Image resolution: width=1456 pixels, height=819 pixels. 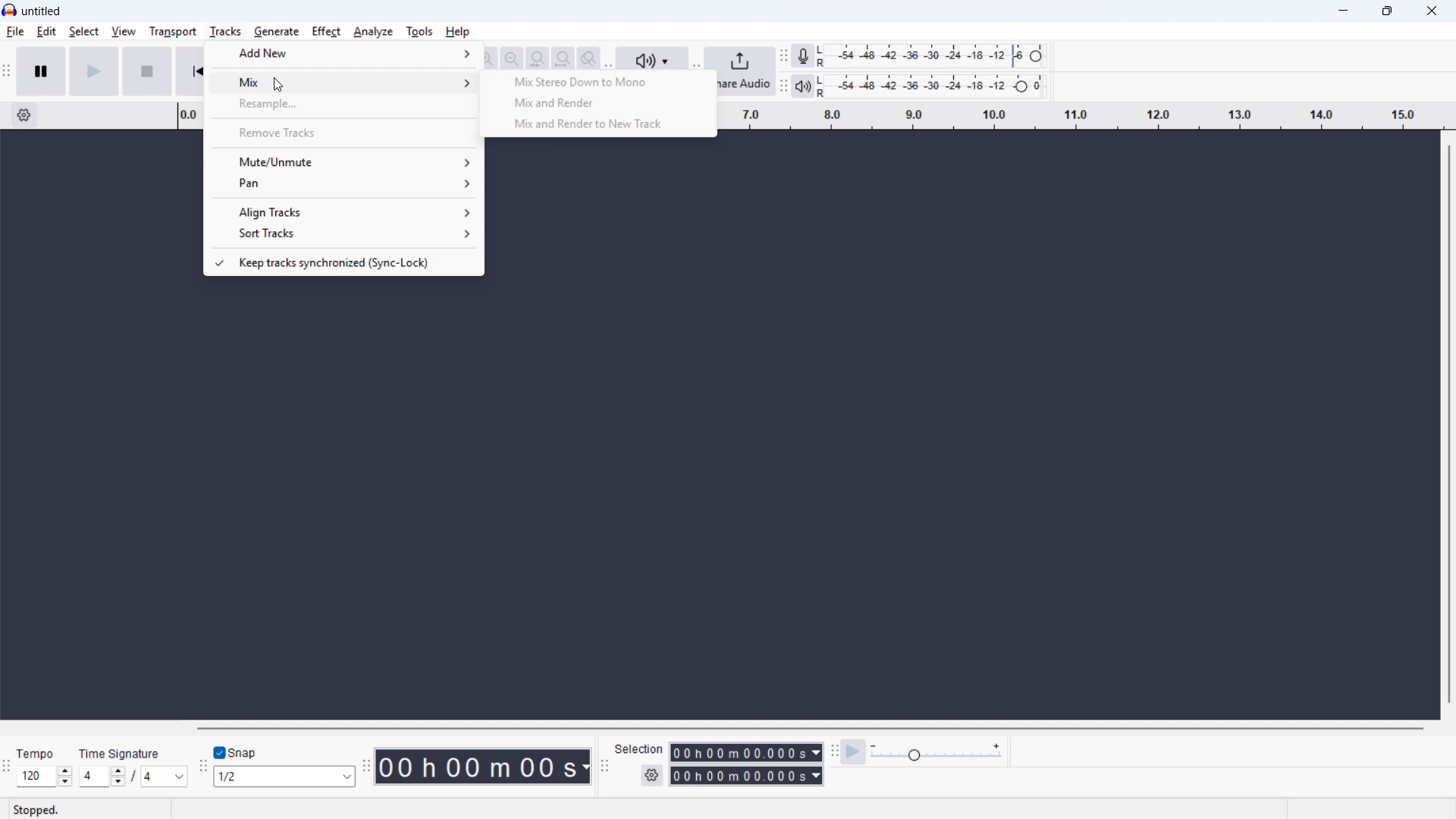 What do you see at coordinates (610, 56) in the screenshot?
I see `Audio Set up toolbar` at bounding box center [610, 56].